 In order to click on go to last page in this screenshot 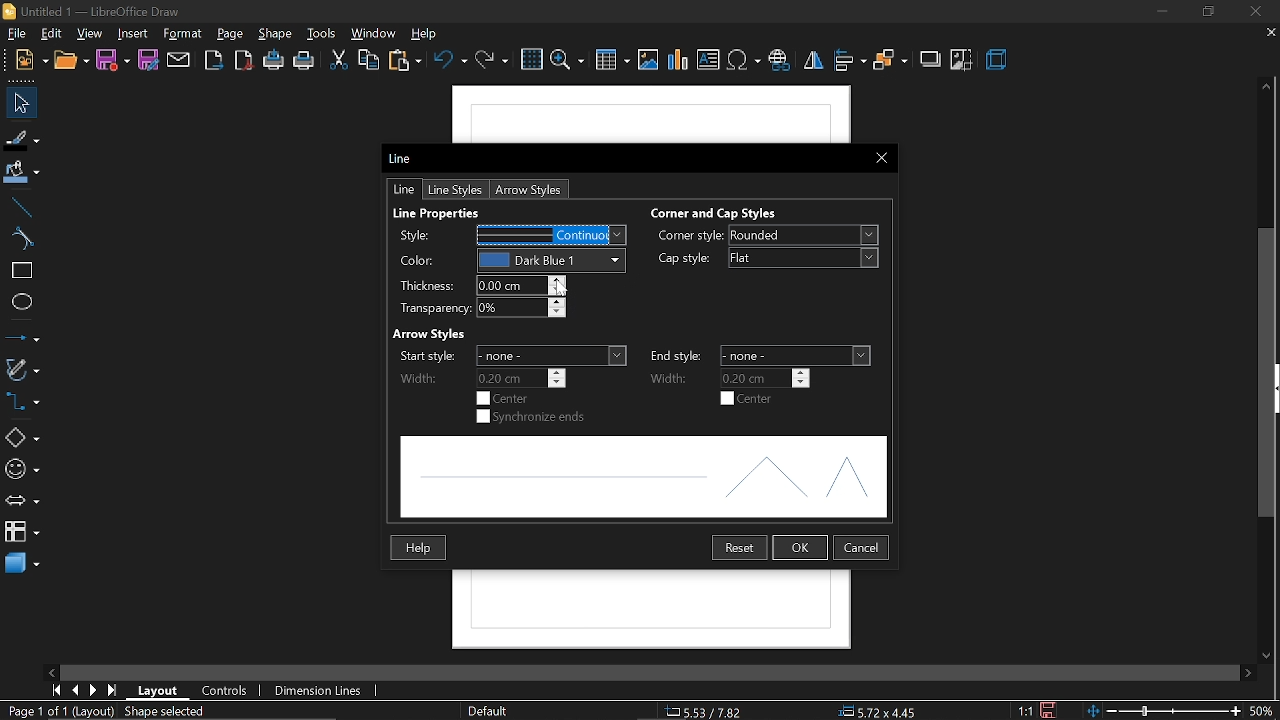, I will do `click(112, 690)`.